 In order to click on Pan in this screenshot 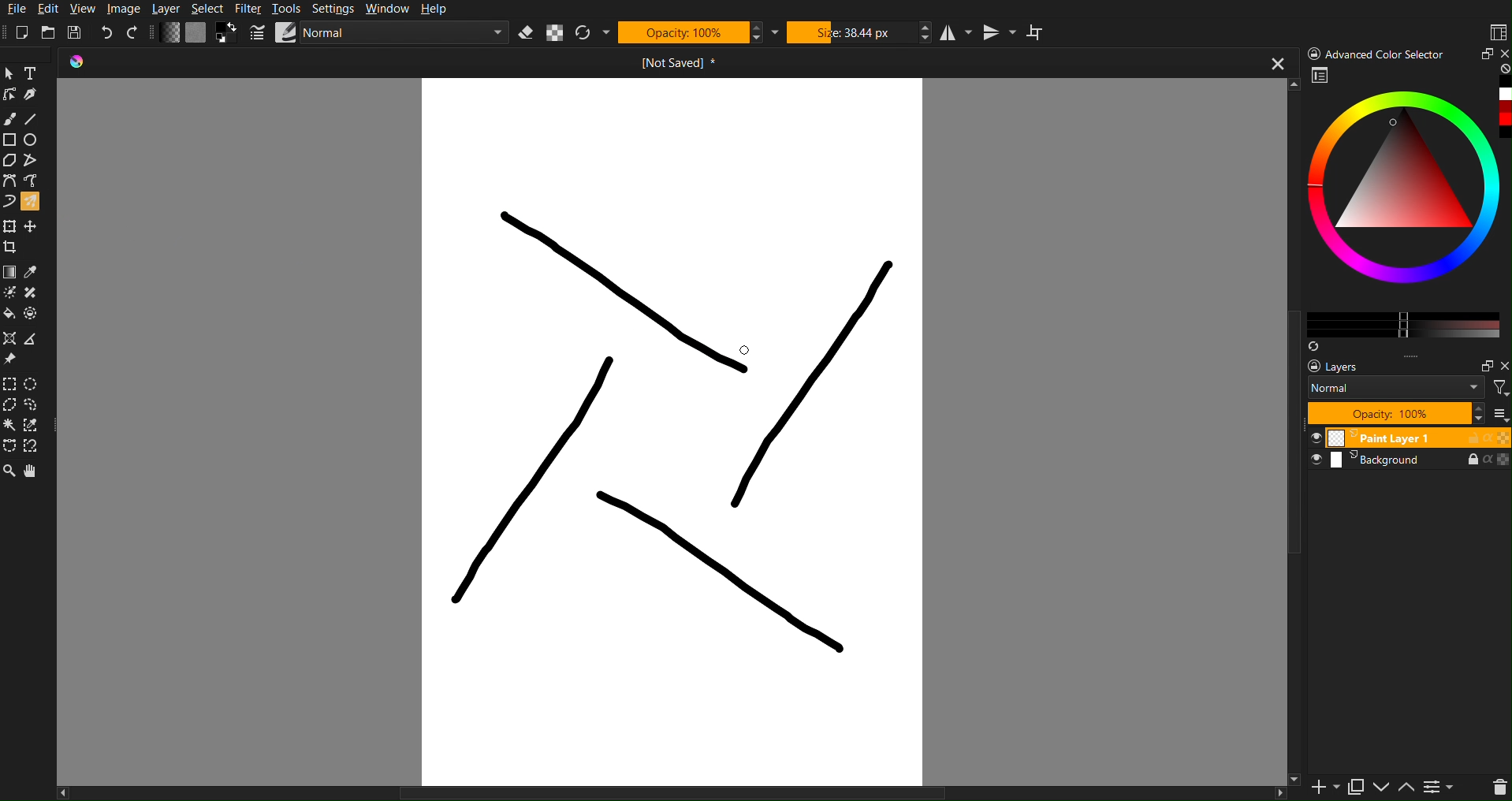, I will do `click(35, 472)`.